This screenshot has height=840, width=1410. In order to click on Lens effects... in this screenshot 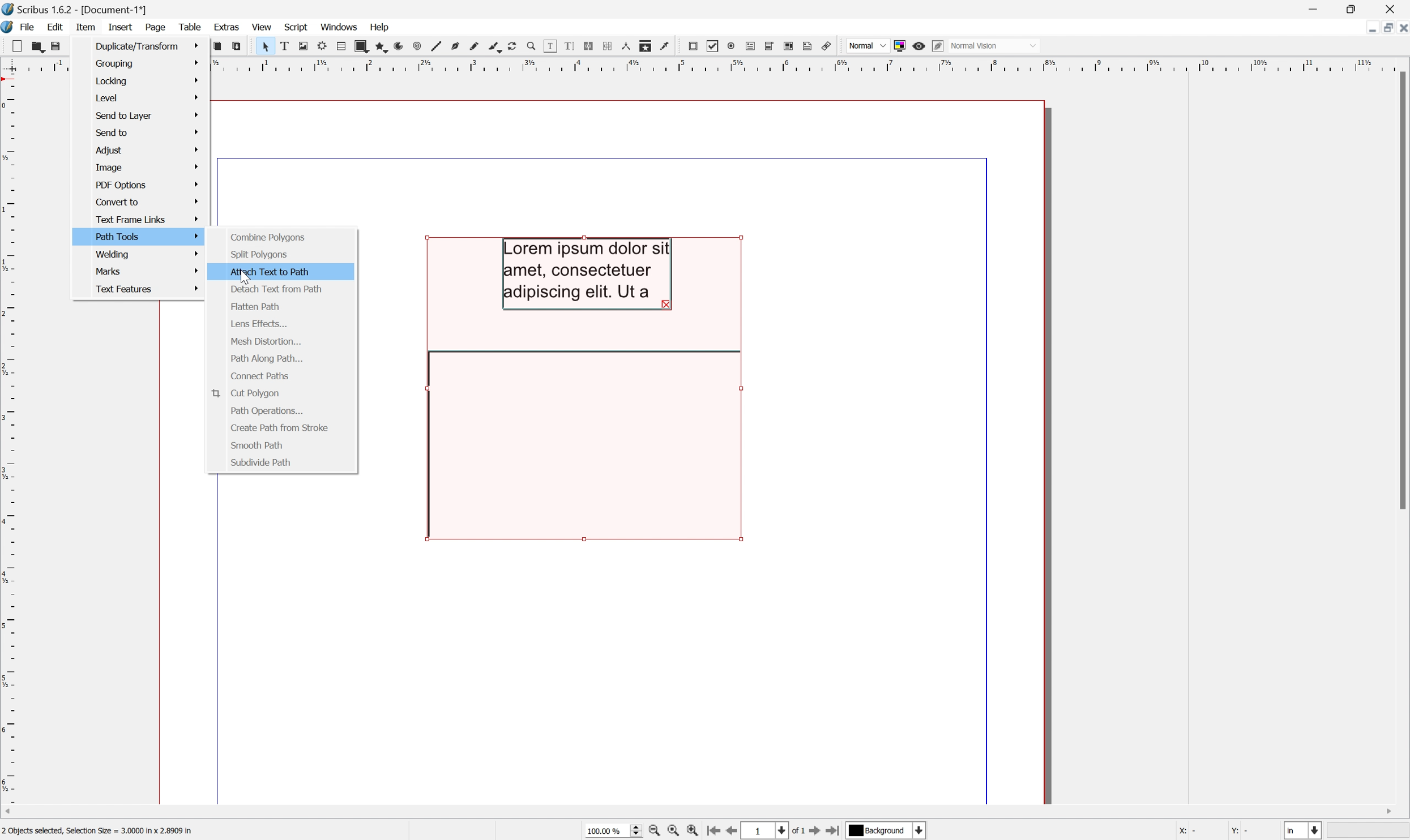, I will do `click(259, 324)`.